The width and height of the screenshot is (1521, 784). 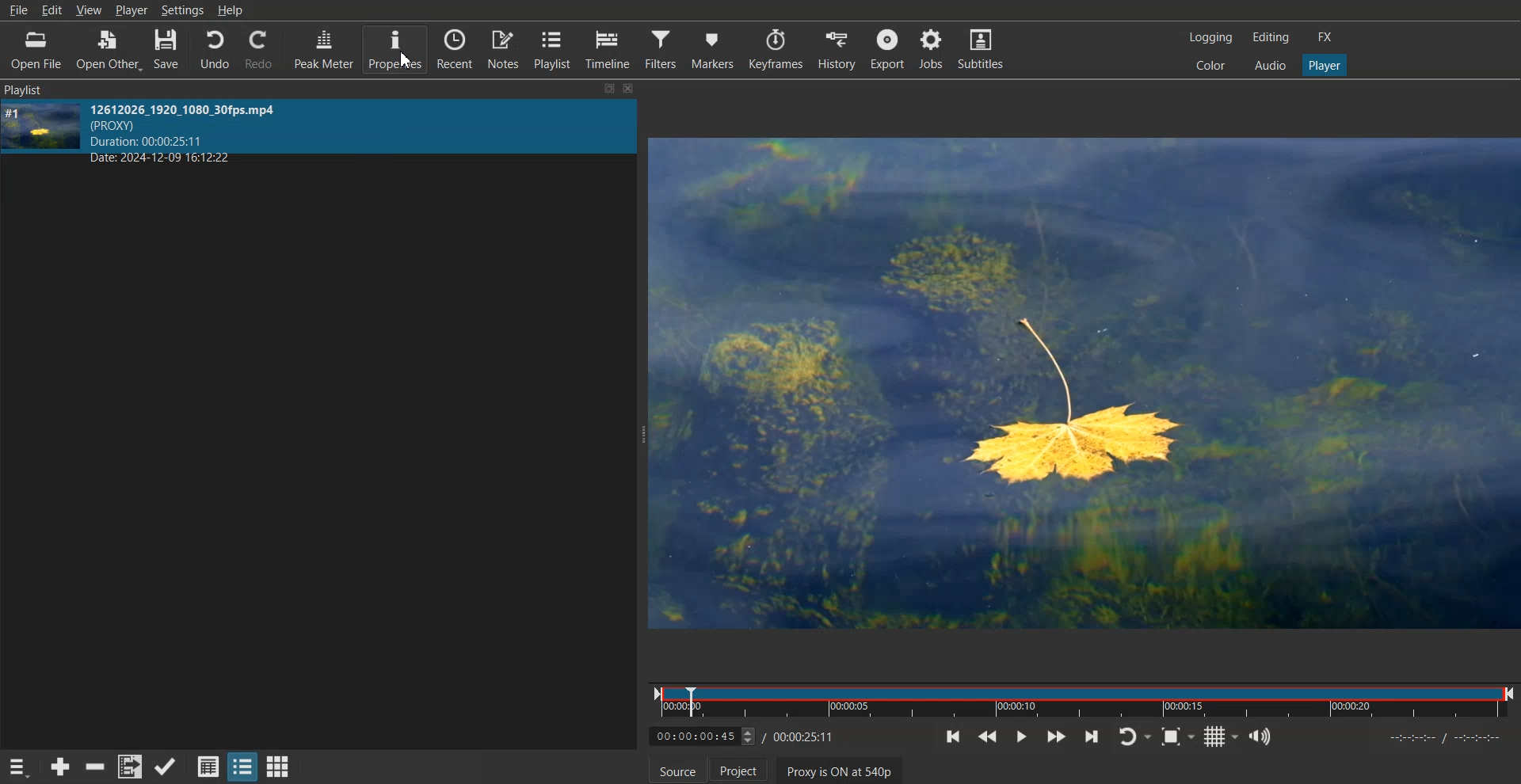 What do you see at coordinates (833, 48) in the screenshot?
I see `History` at bounding box center [833, 48].